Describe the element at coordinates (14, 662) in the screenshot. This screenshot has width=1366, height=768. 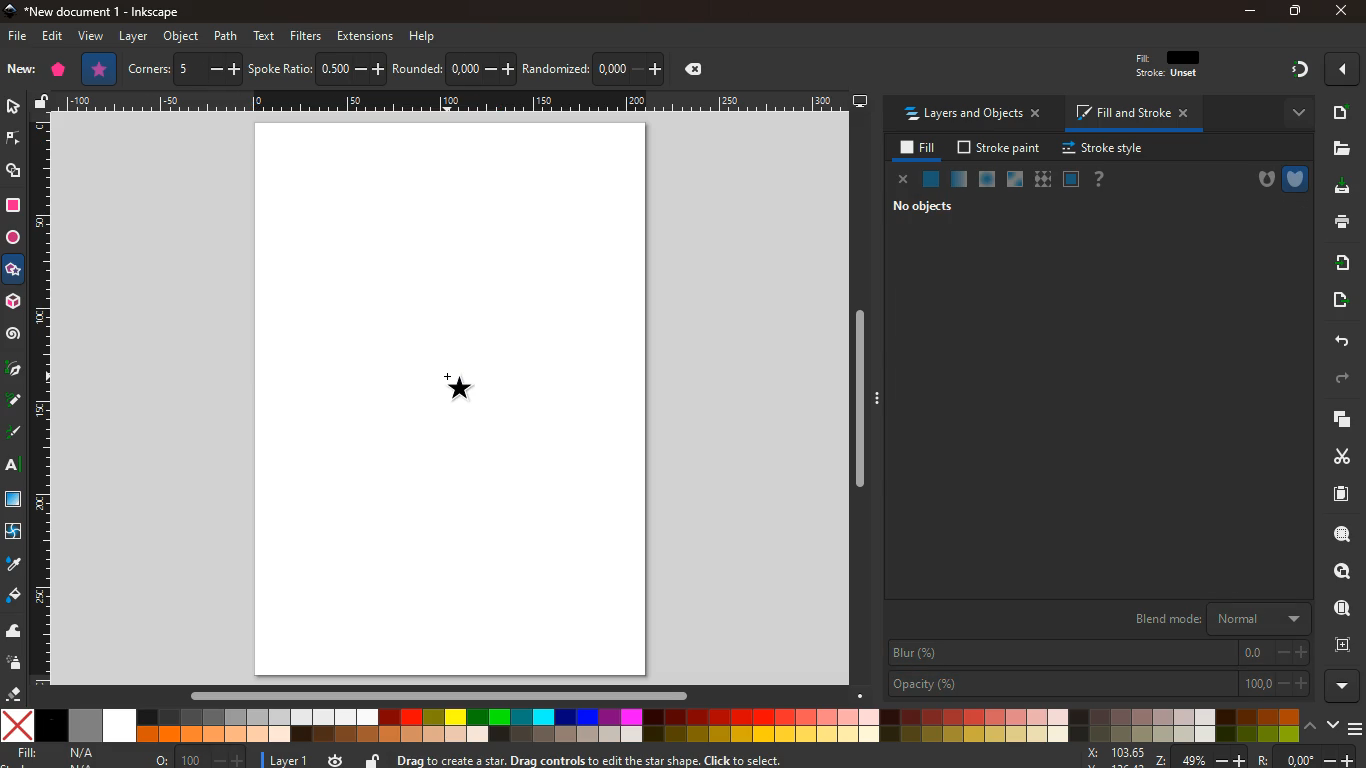
I see `spray` at that location.